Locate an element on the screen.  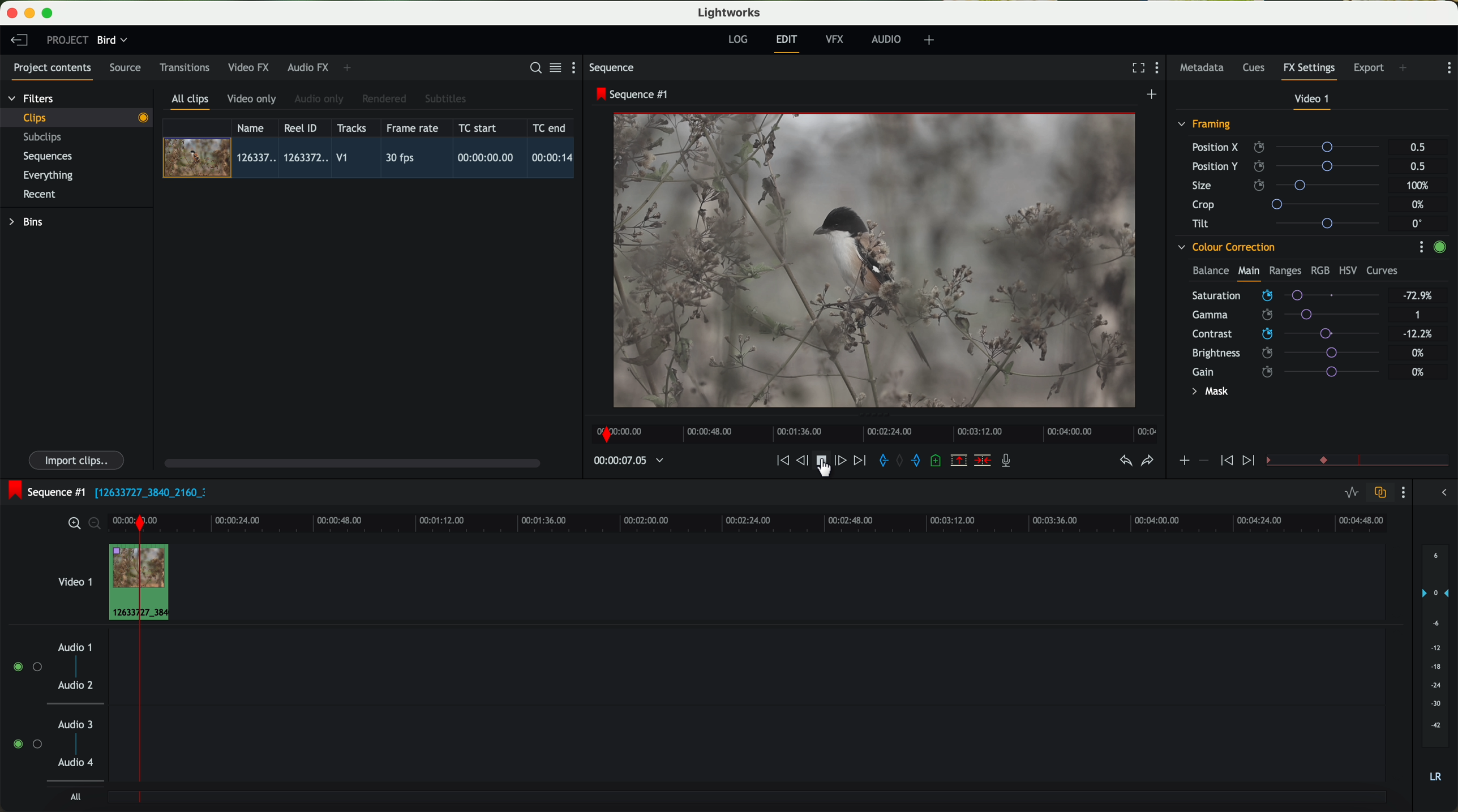
black is located at coordinates (146, 491).